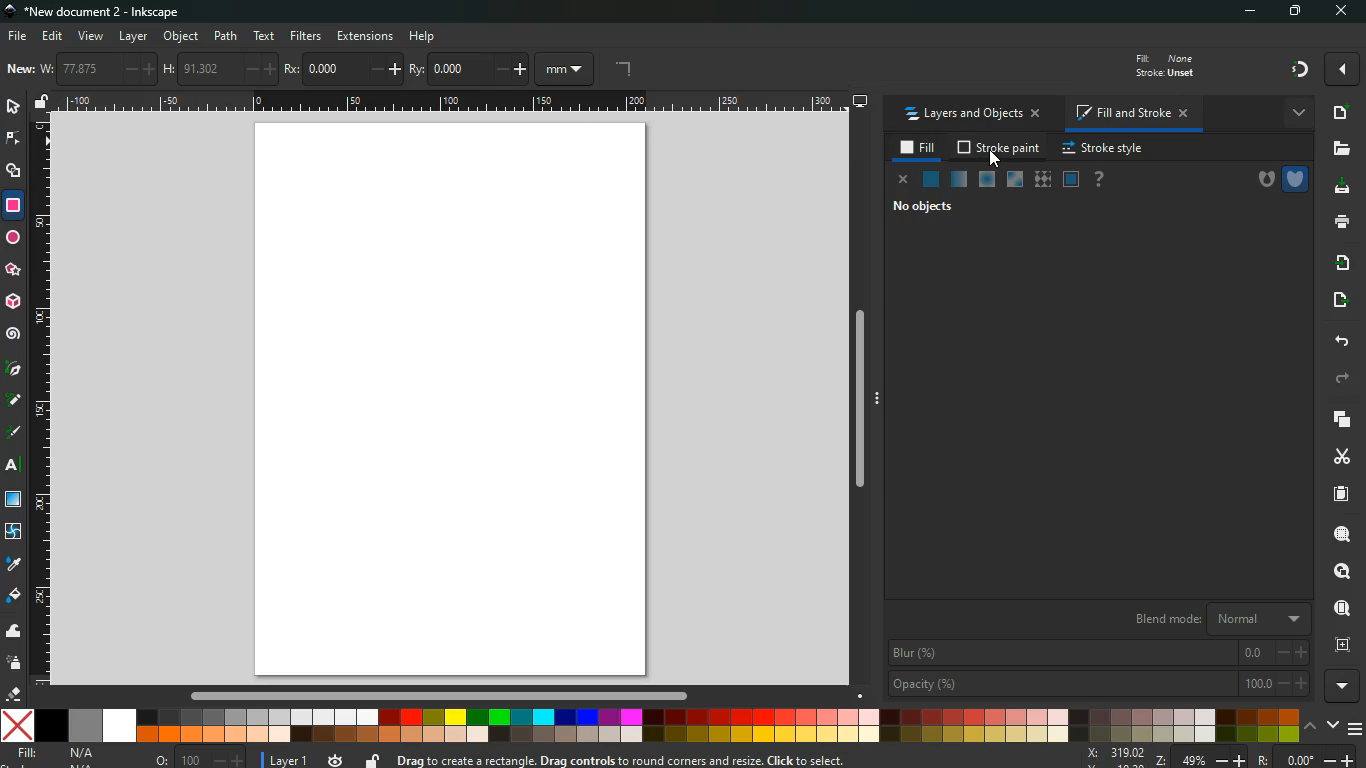  What do you see at coordinates (1100, 180) in the screenshot?
I see `help` at bounding box center [1100, 180].